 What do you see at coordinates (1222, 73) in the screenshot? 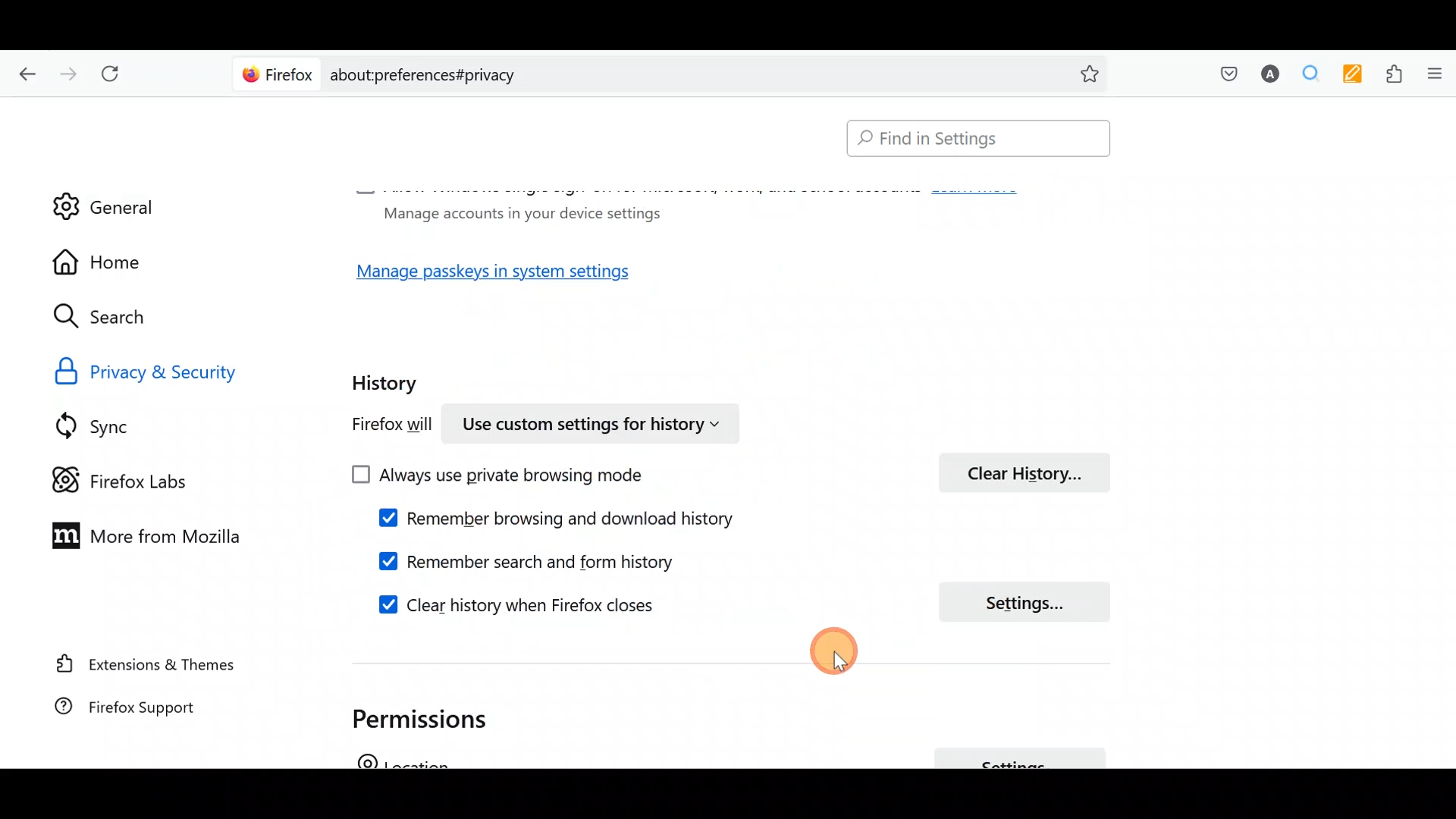
I see `Save to pocket` at bounding box center [1222, 73].